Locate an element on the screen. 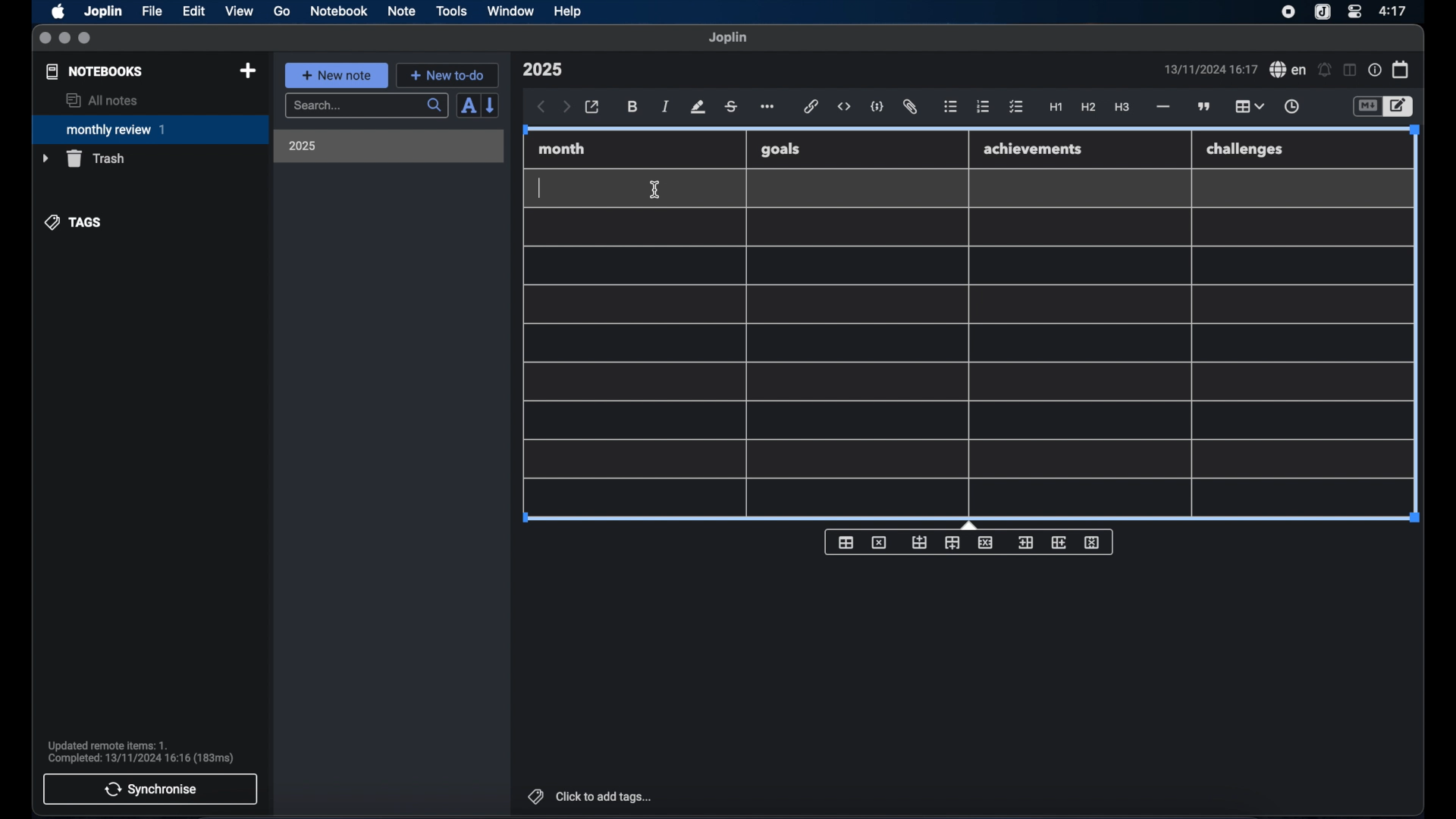 The width and height of the screenshot is (1456, 819). Joplin is located at coordinates (105, 12).